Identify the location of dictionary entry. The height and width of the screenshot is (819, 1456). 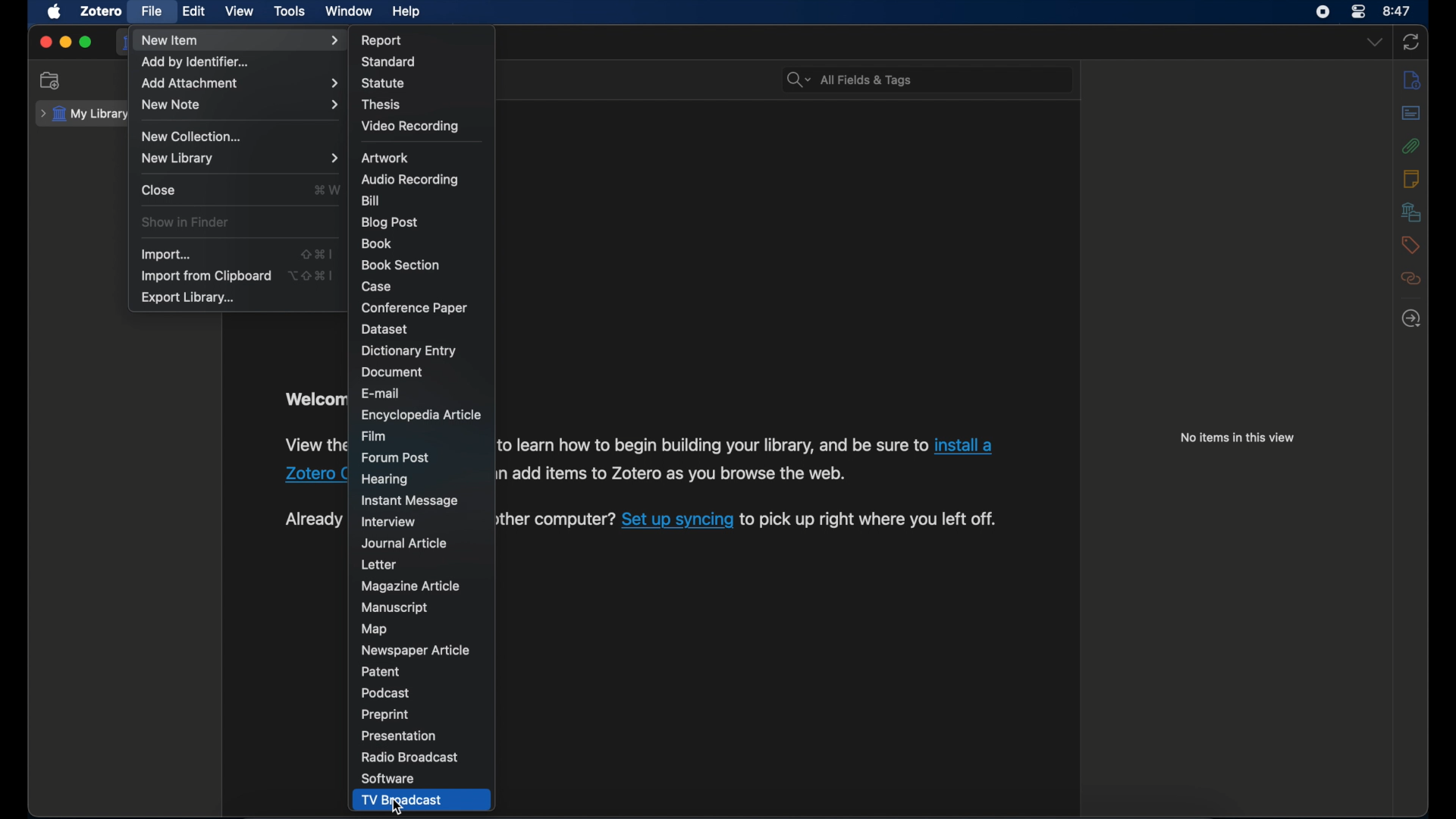
(409, 351).